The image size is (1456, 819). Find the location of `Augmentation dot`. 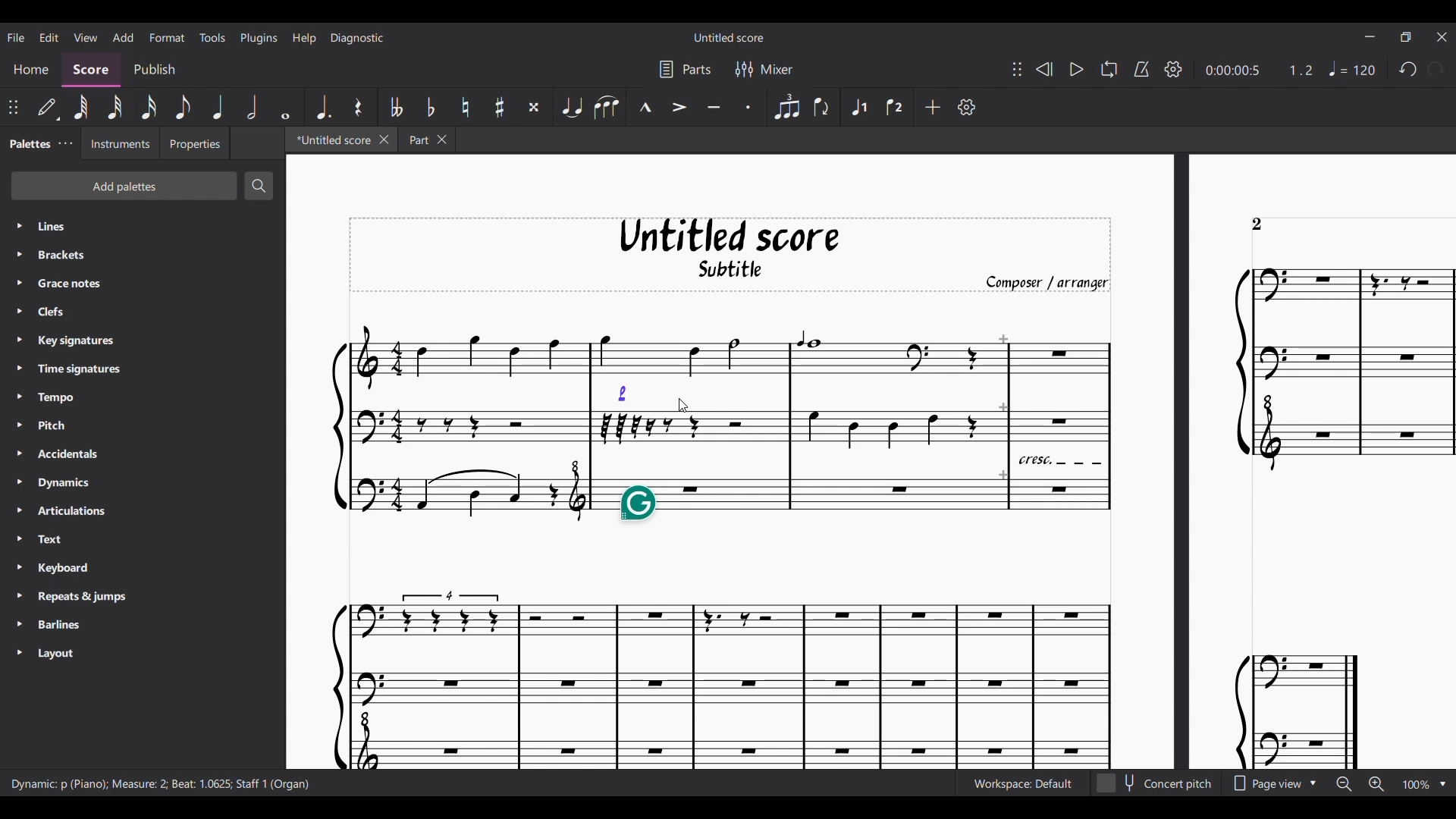

Augmentation dot is located at coordinates (322, 106).